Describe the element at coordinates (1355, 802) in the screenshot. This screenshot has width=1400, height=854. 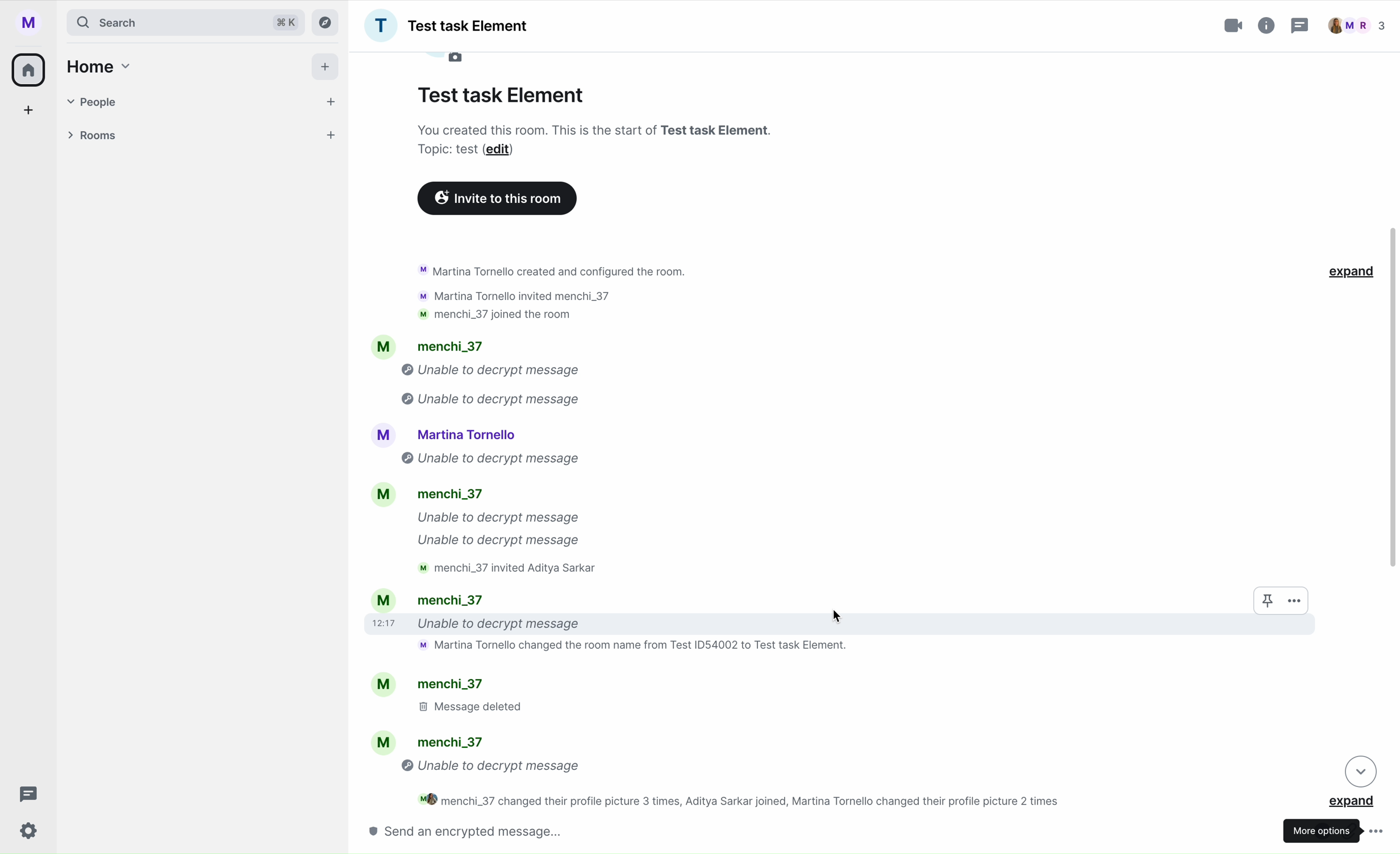
I see `expand` at that location.